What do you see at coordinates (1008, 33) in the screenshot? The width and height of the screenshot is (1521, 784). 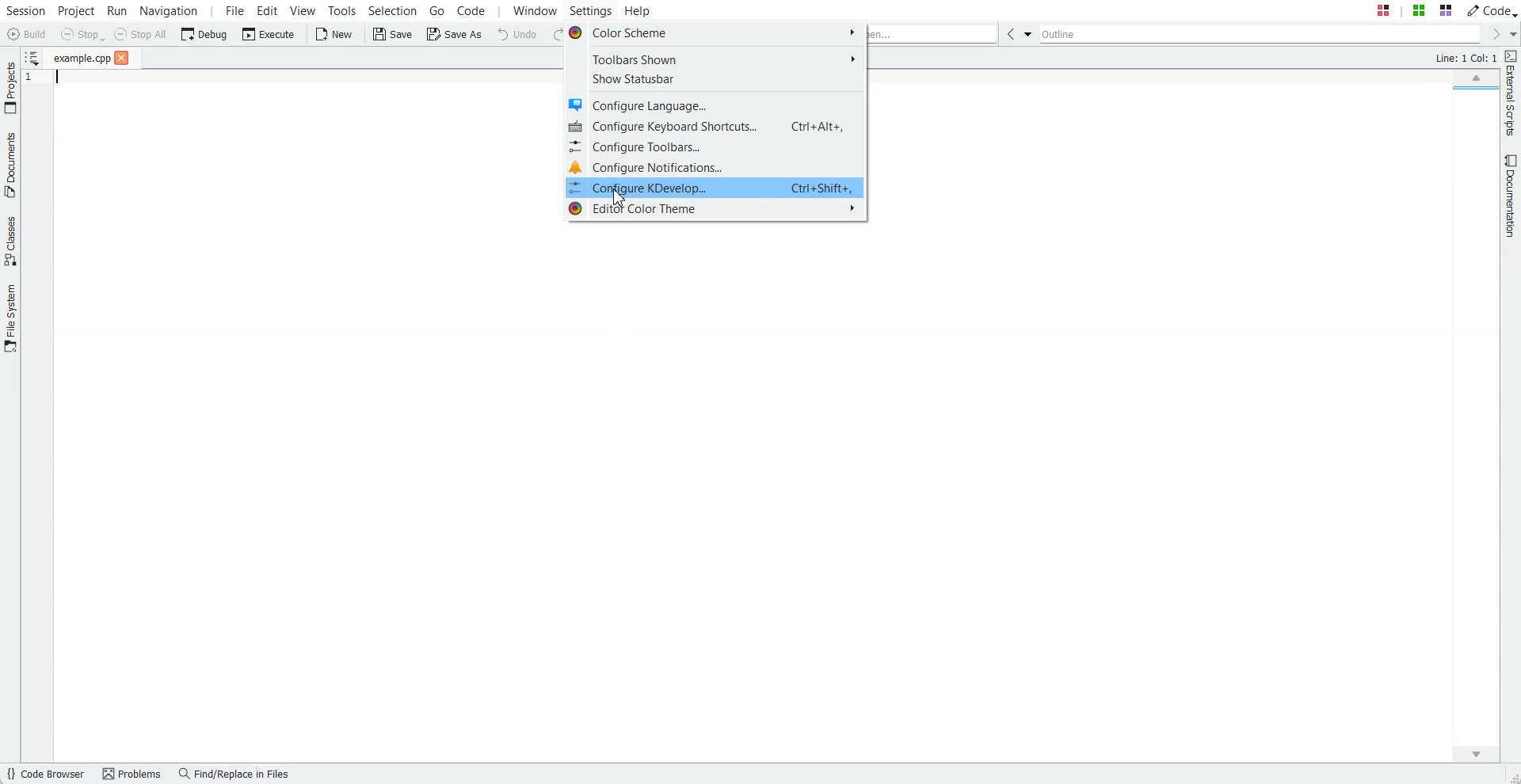 I see `Go Back` at bounding box center [1008, 33].